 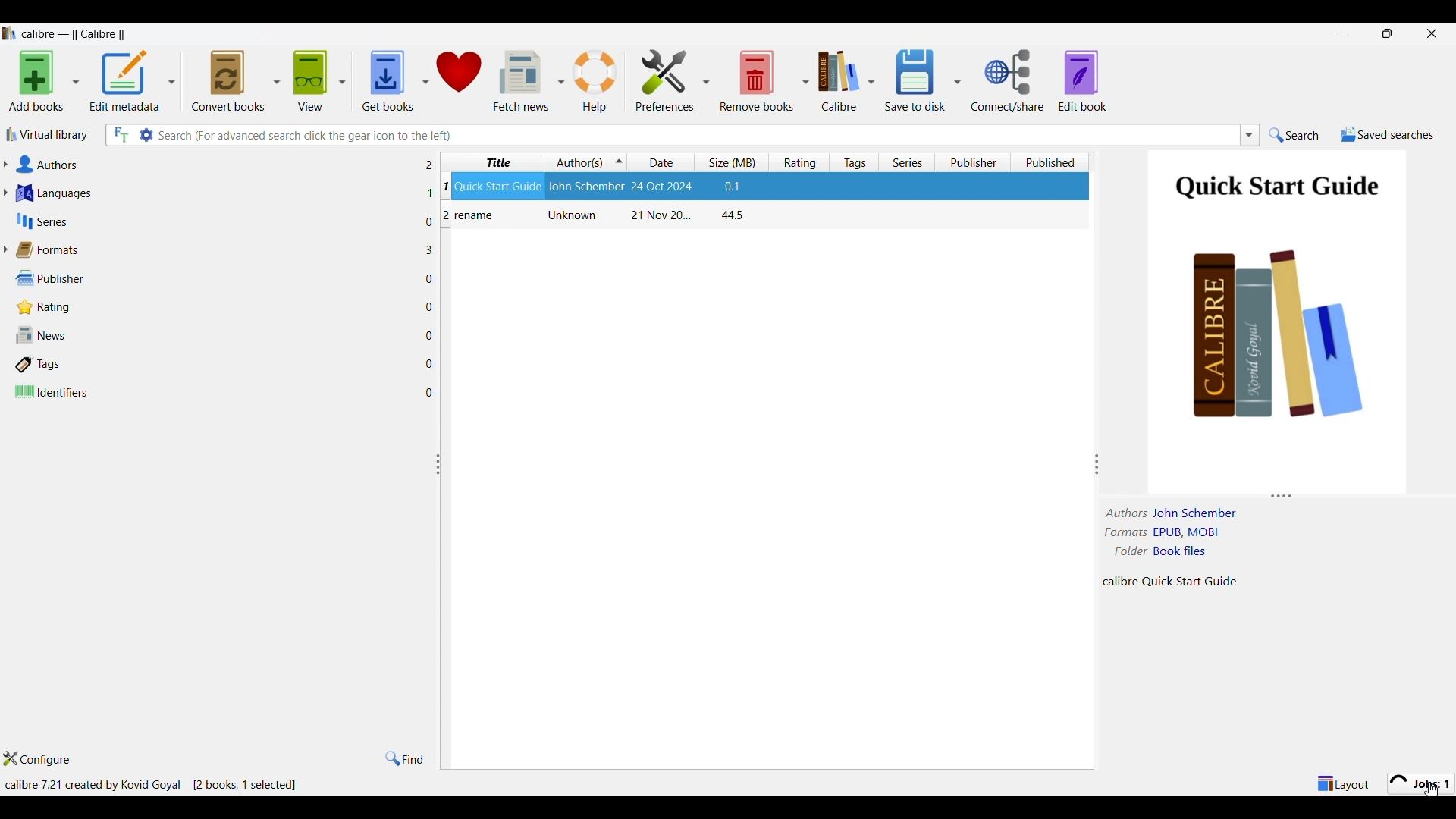 I want to click on Add book options, so click(x=75, y=82).